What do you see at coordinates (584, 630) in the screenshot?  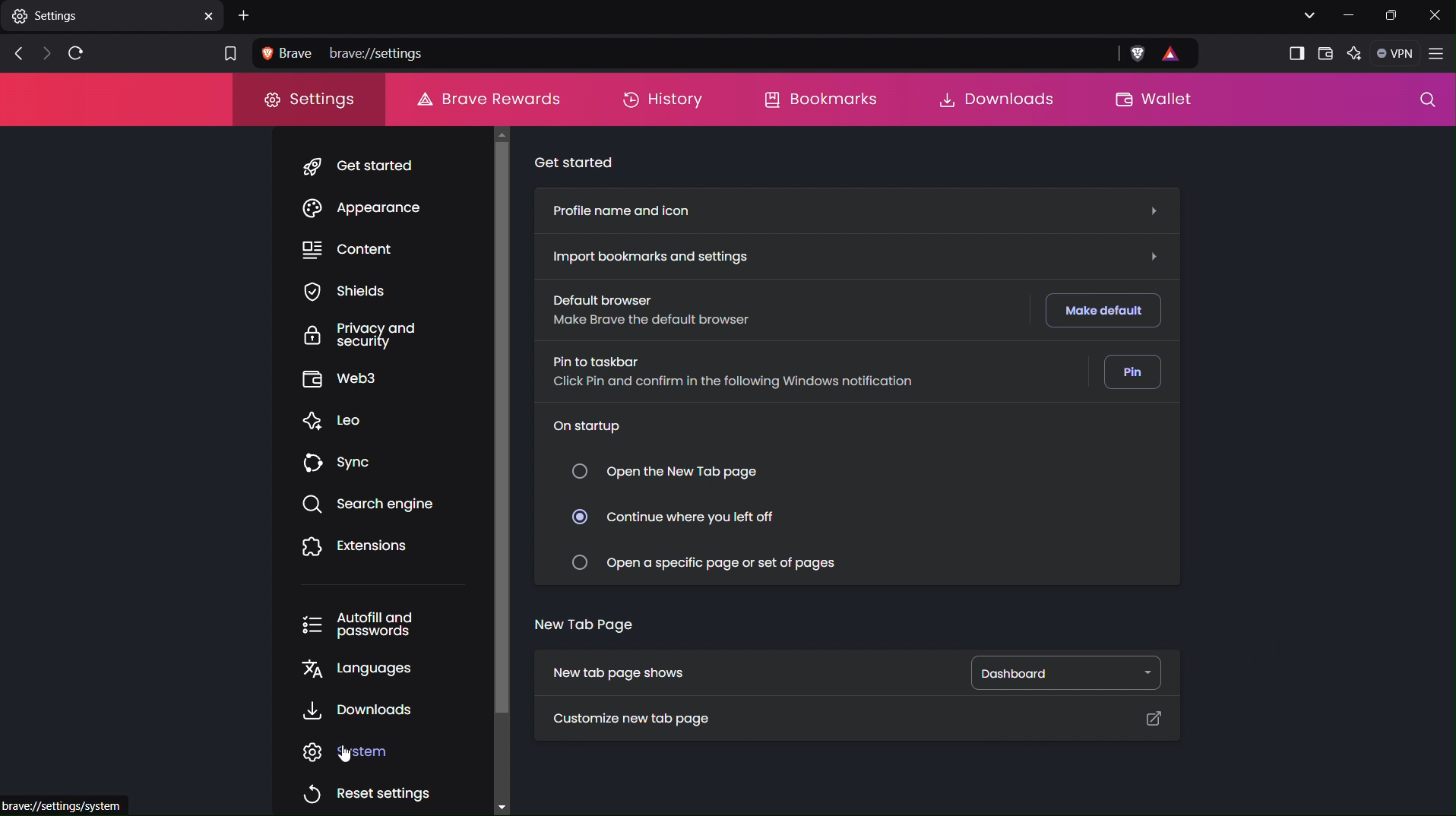 I see `New Tab Page` at bounding box center [584, 630].